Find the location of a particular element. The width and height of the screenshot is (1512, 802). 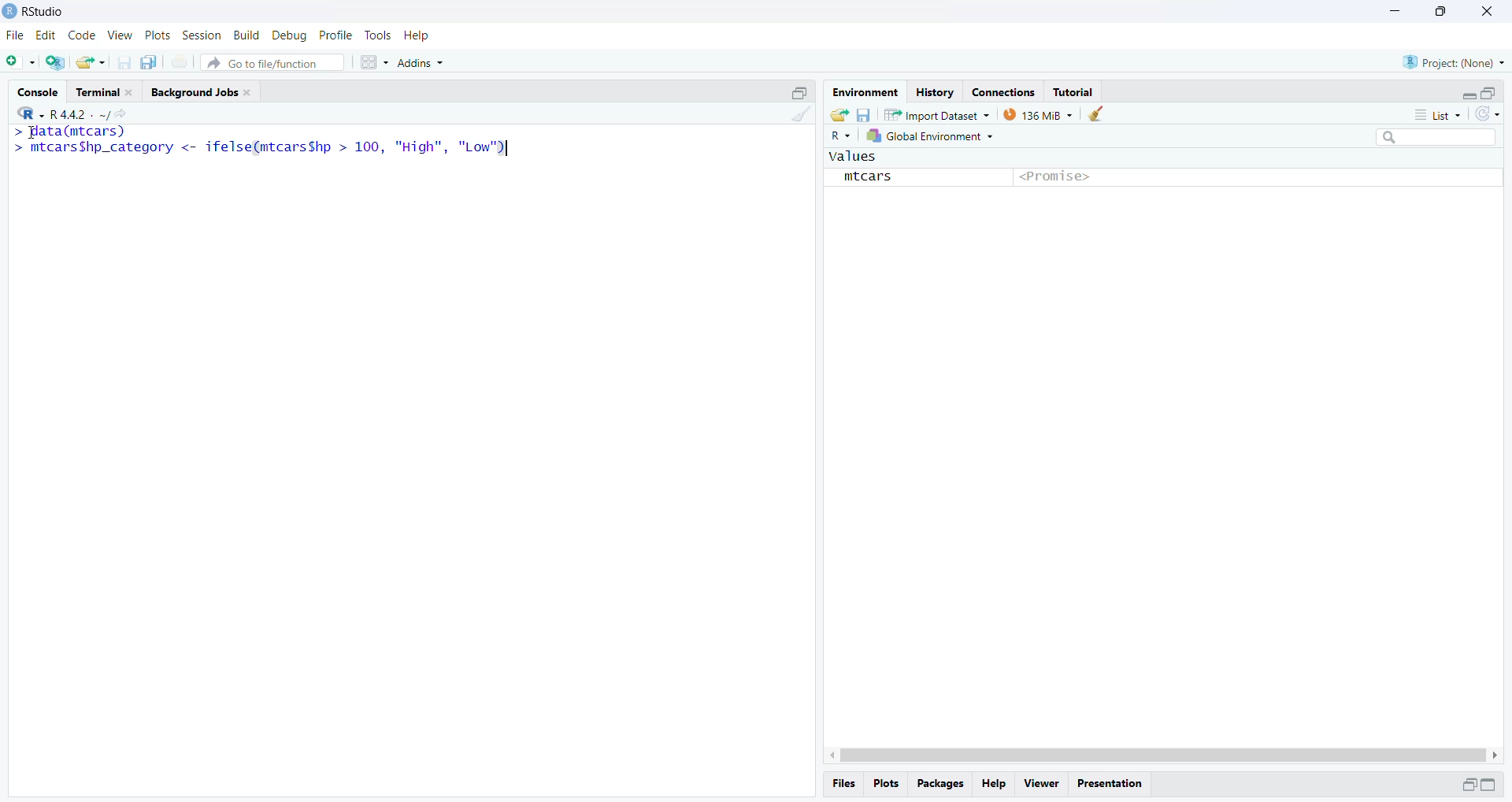

Packages is located at coordinates (941, 785).